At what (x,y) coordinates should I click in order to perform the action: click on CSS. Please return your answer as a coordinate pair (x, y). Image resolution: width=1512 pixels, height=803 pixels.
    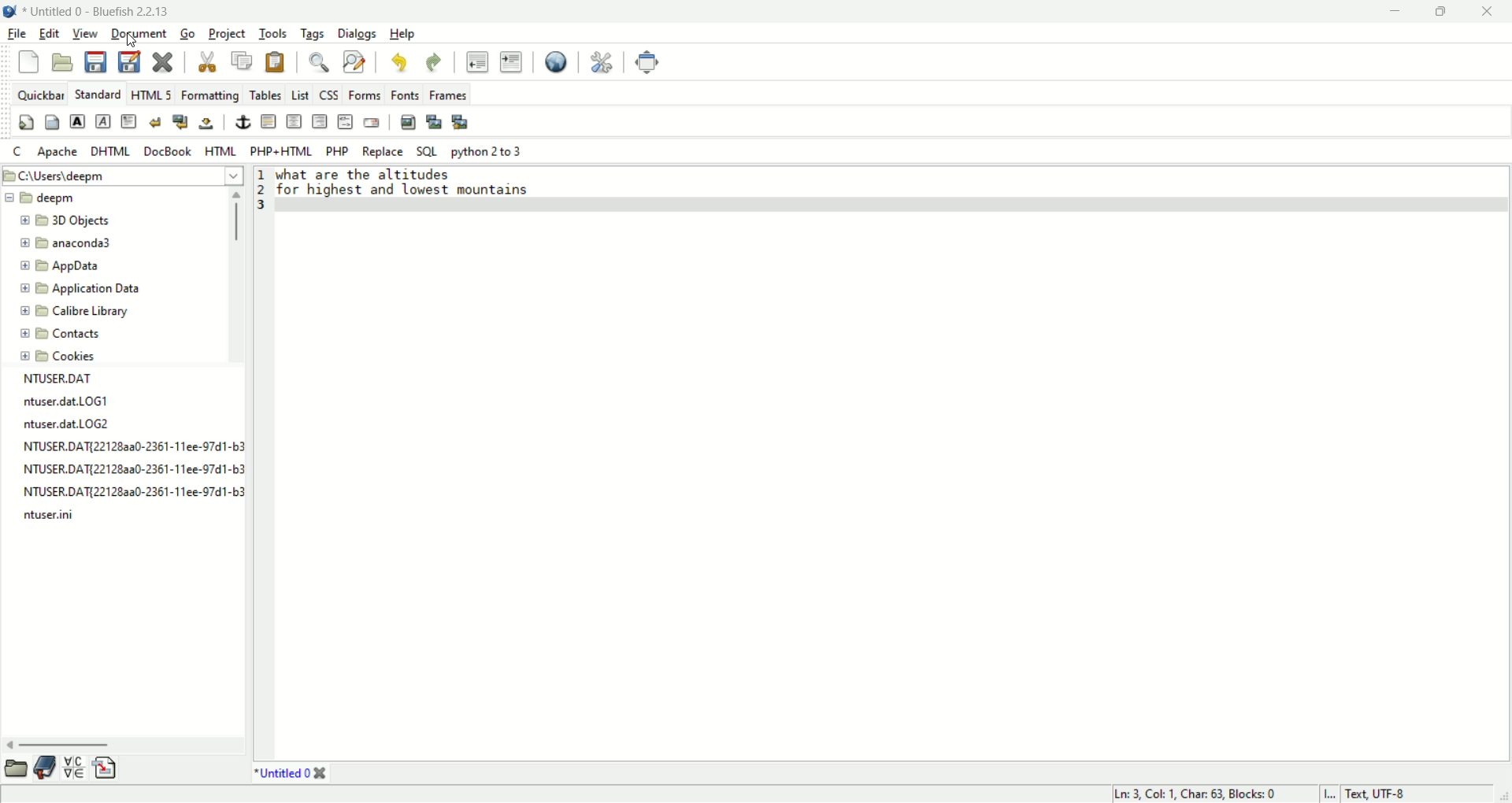
    Looking at the image, I should click on (327, 94).